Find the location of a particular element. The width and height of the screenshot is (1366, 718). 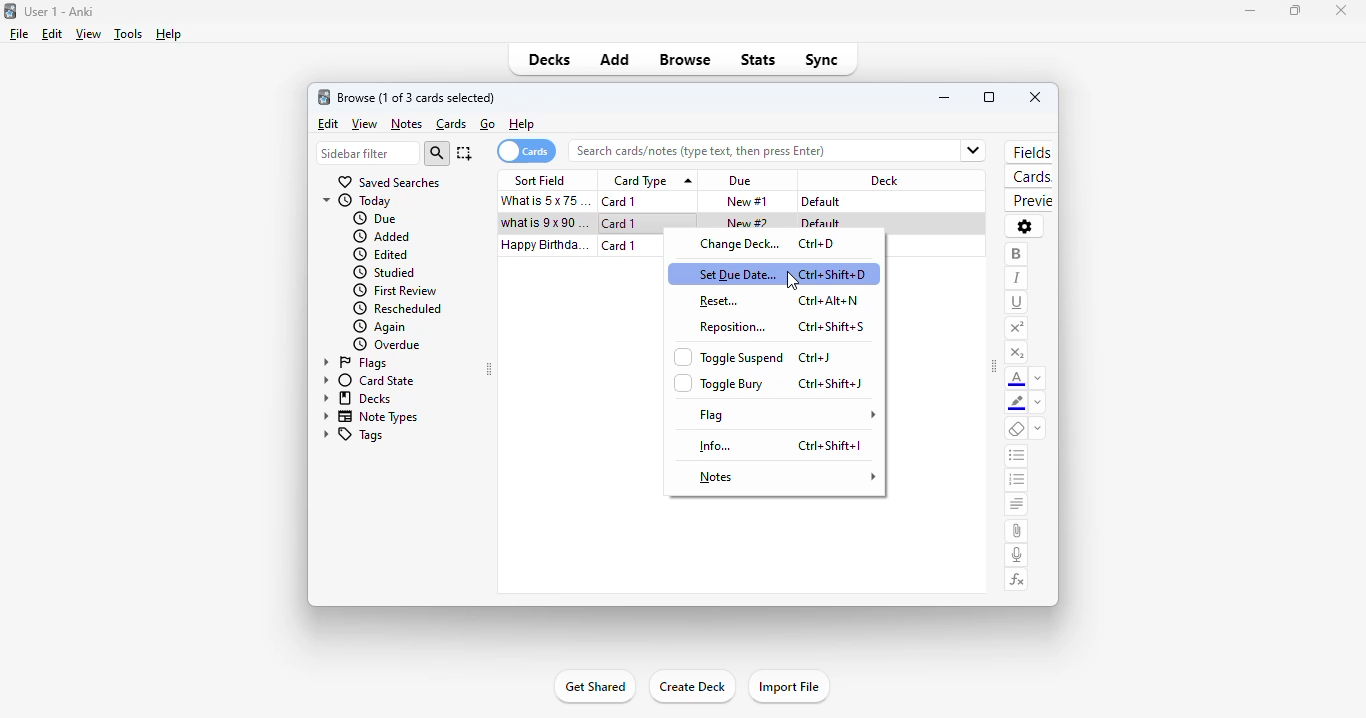

card 1 is located at coordinates (619, 246).